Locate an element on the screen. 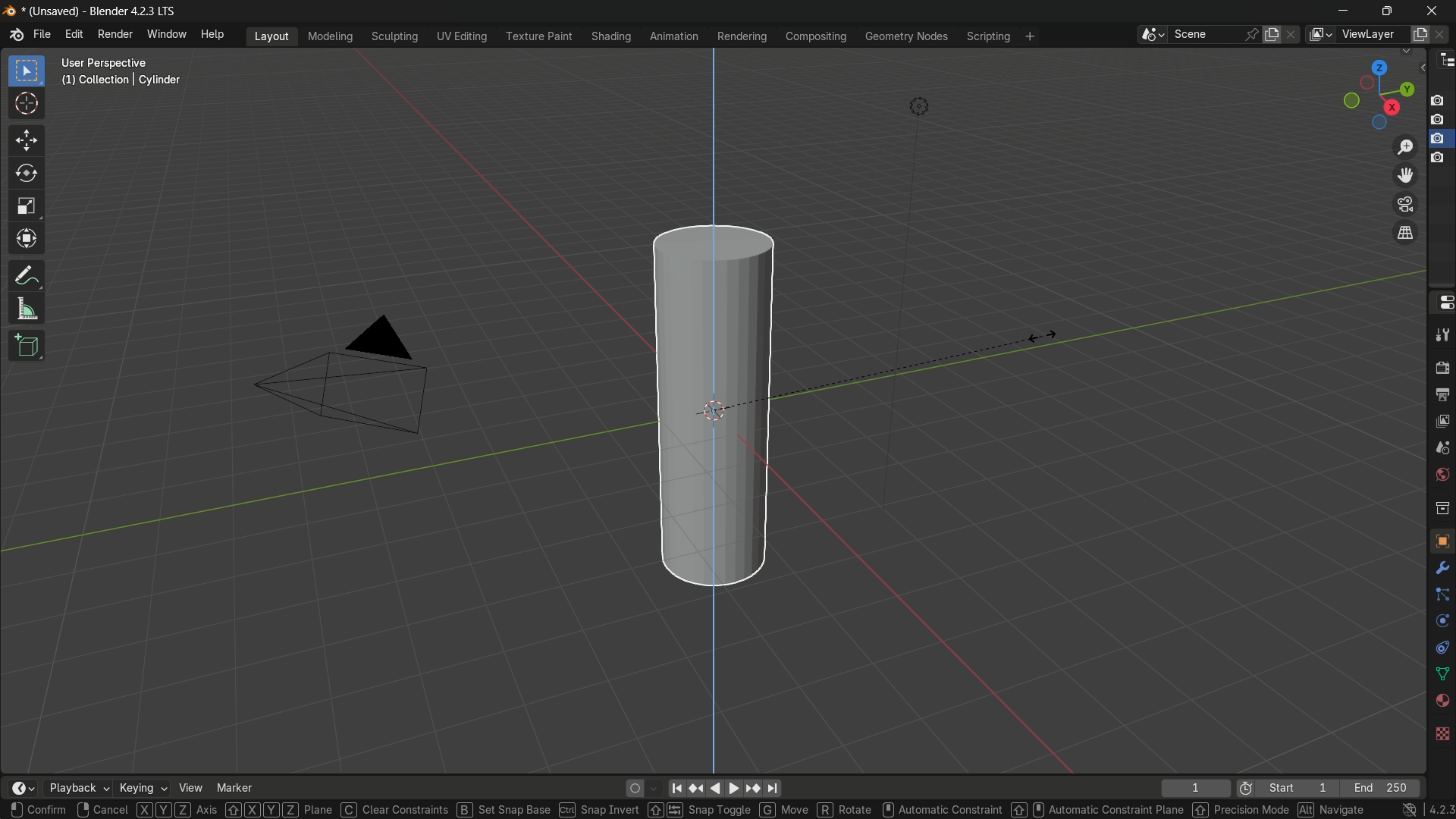  layer 2 is located at coordinates (1440, 119).